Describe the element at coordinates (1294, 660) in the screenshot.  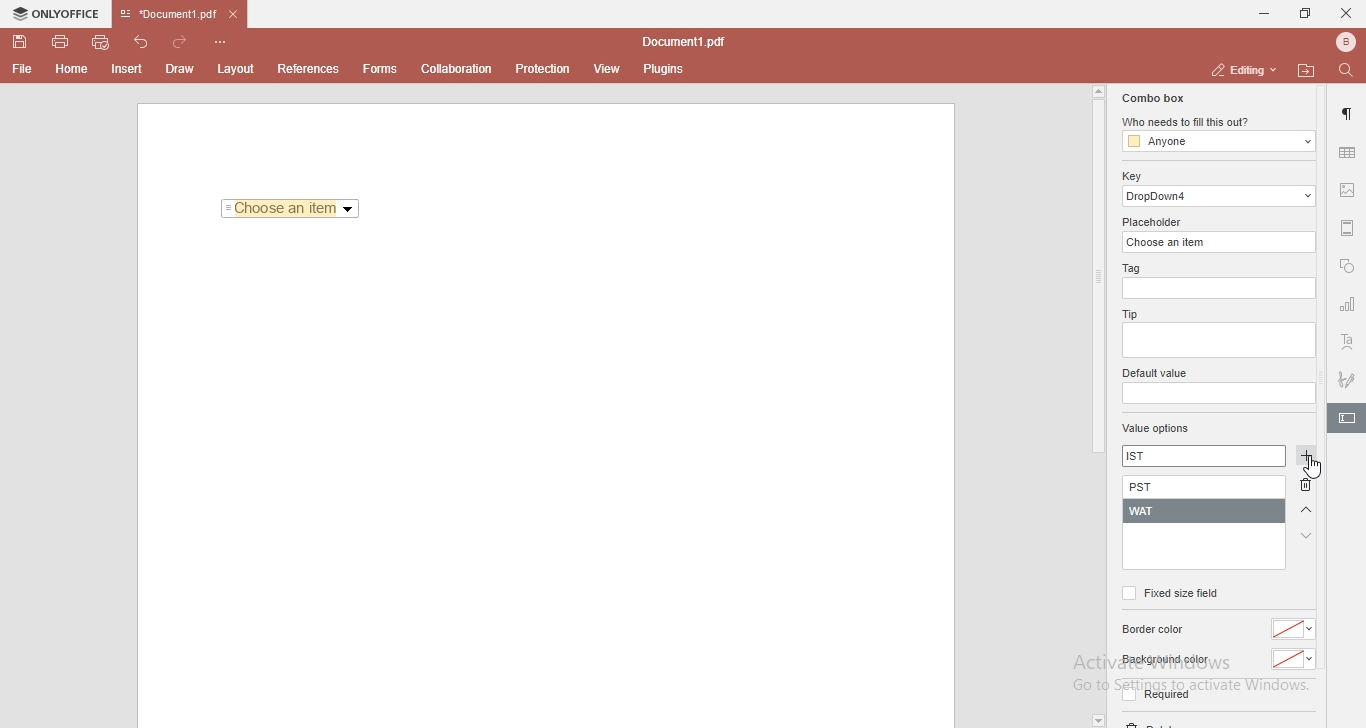
I see `color dropdown` at that location.